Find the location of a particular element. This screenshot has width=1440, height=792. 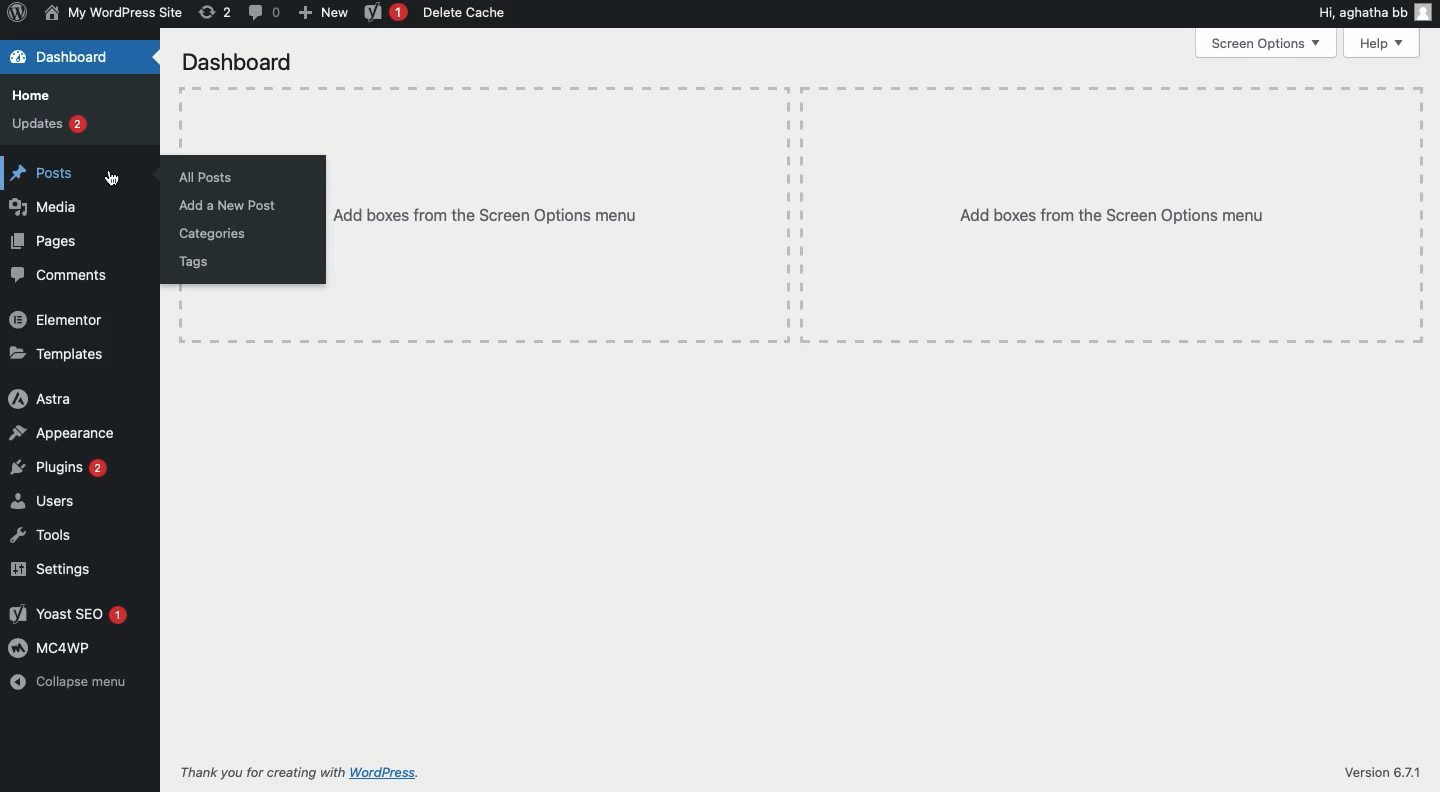

Dashboard is located at coordinates (80, 57).